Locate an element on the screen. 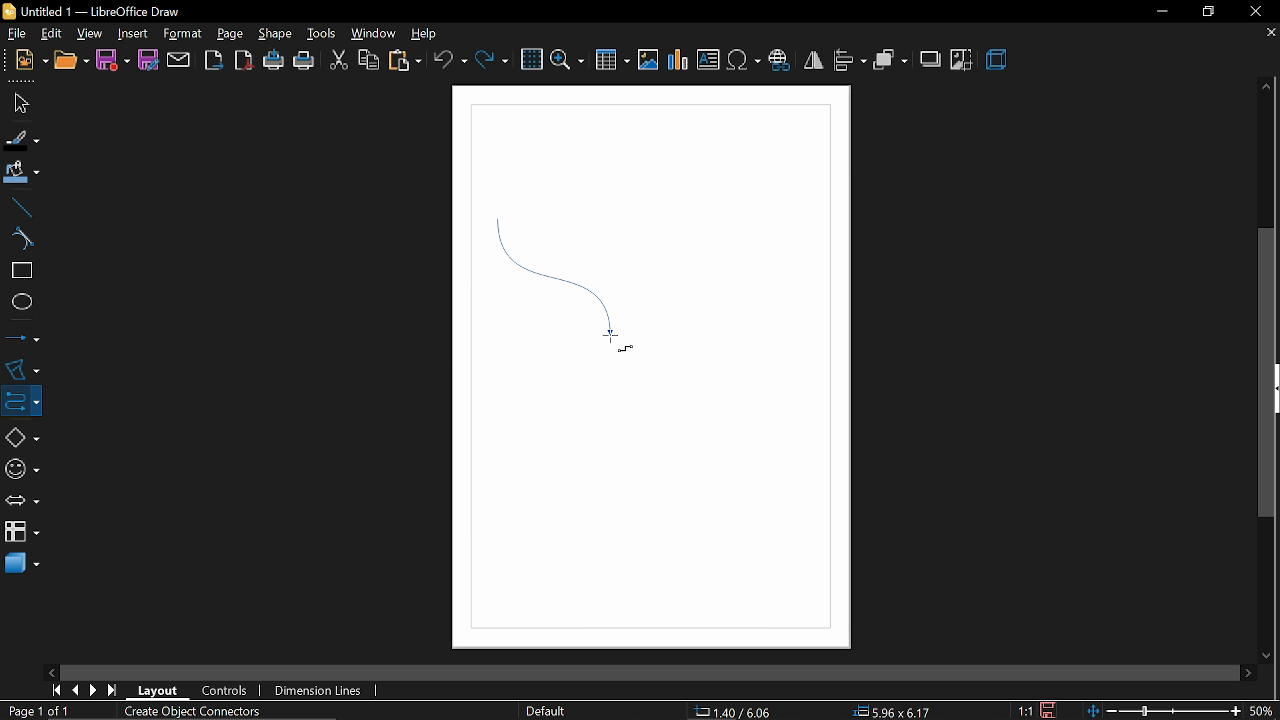 Image resolution: width=1280 pixels, height=720 pixels. undo is located at coordinates (450, 61).